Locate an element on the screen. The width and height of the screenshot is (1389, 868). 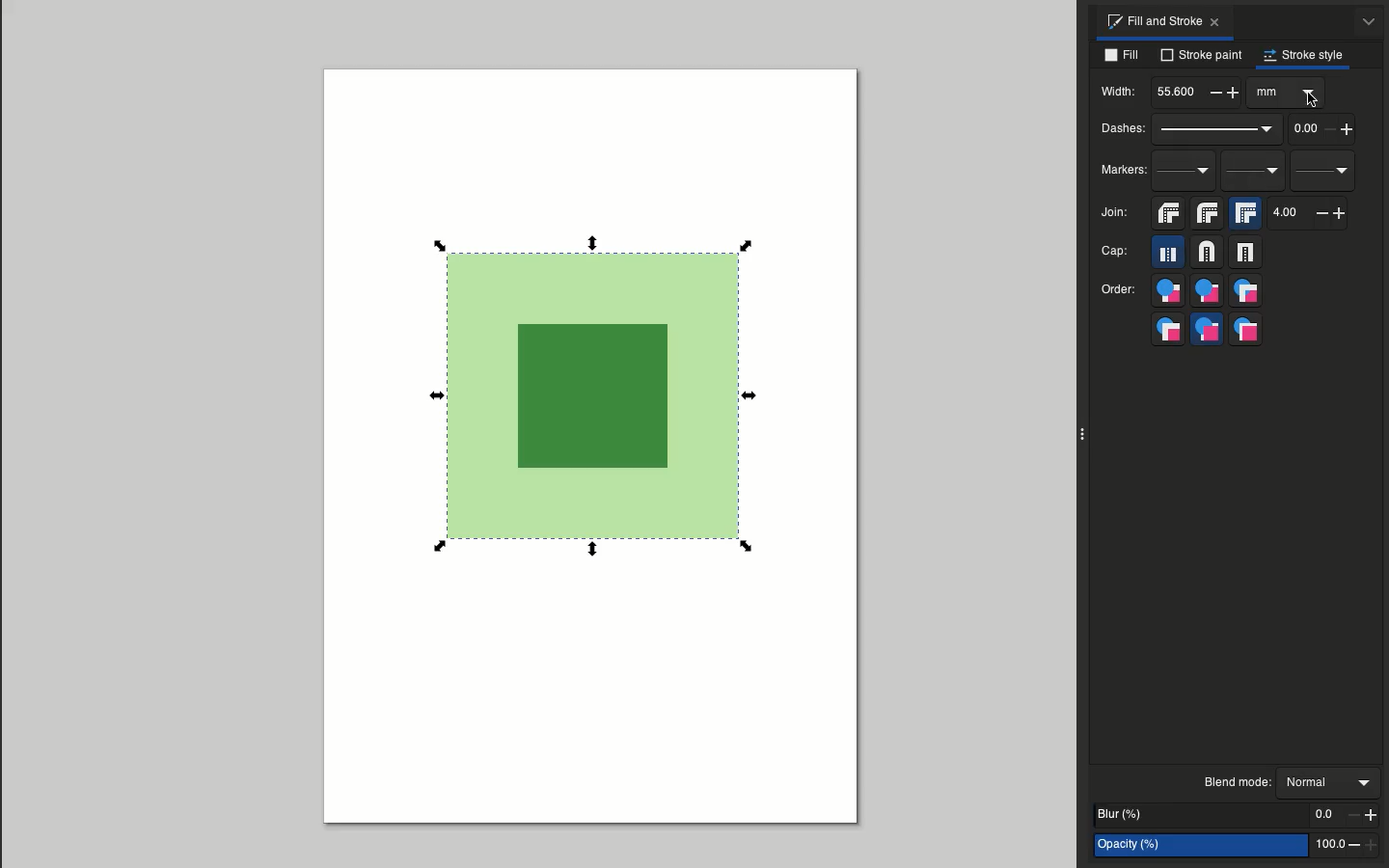
Fill, stroke, markers is located at coordinates (1169, 292).